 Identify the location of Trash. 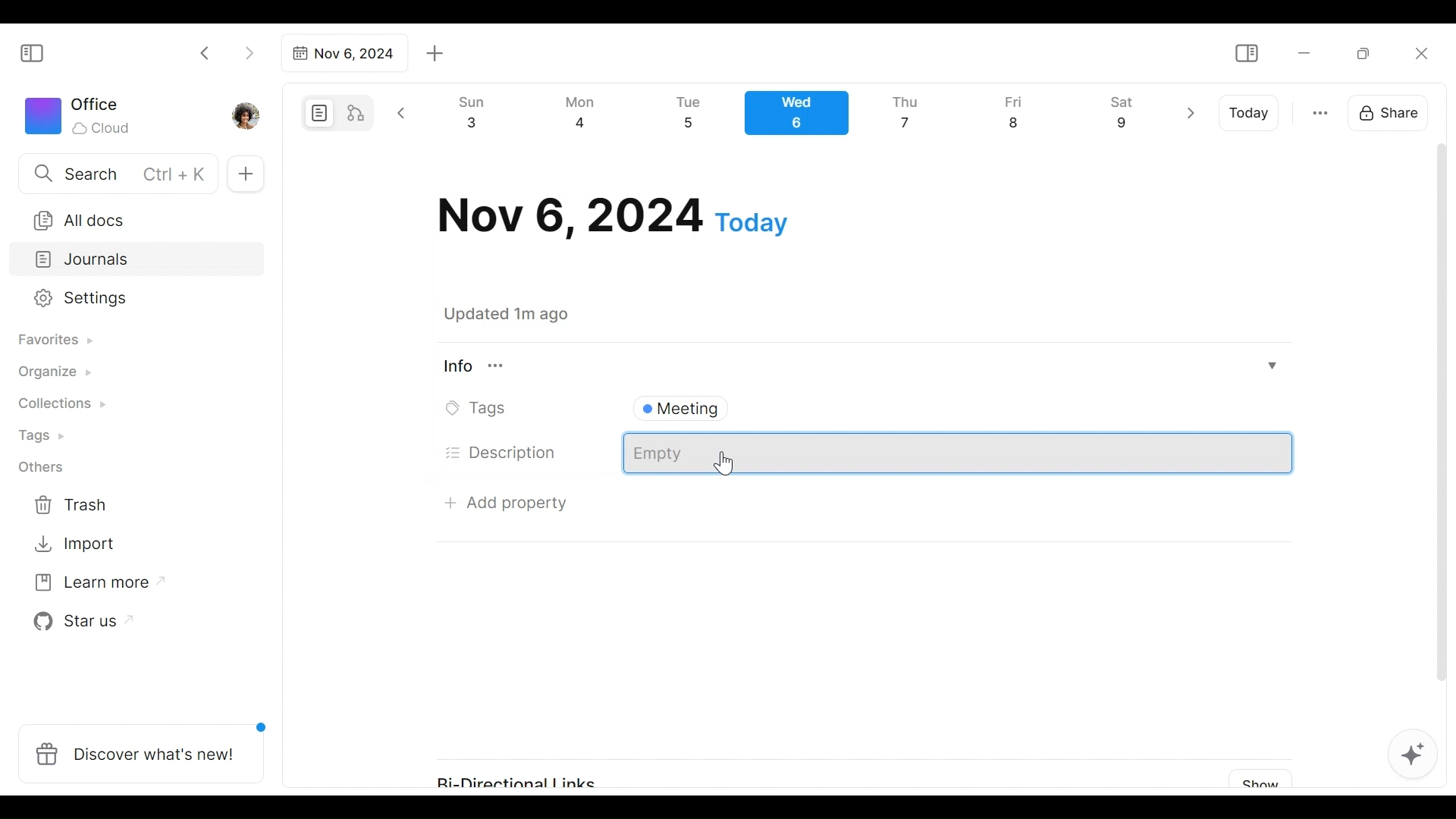
(72, 505).